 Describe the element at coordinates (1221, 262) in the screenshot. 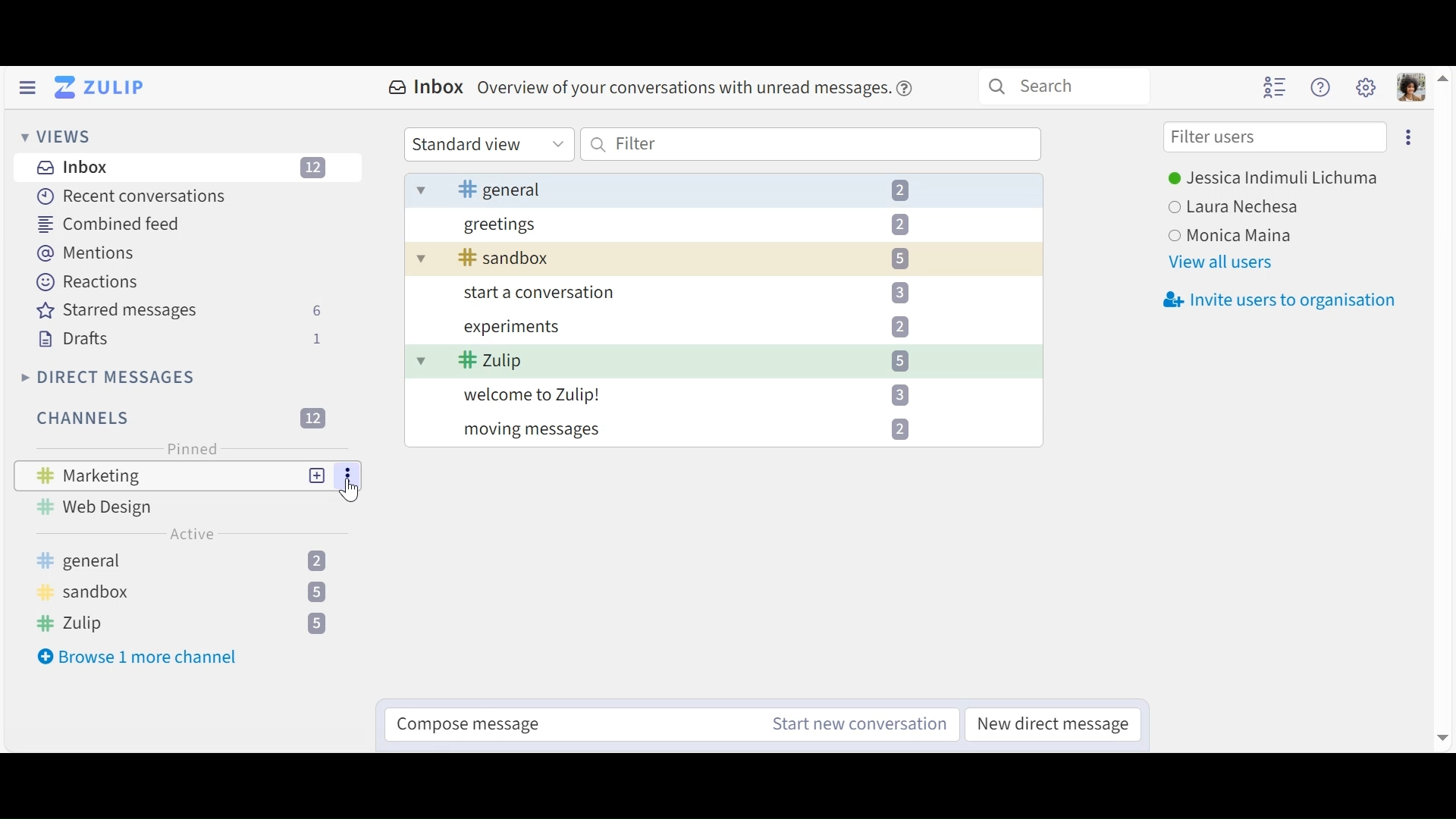

I see `View all users` at that location.